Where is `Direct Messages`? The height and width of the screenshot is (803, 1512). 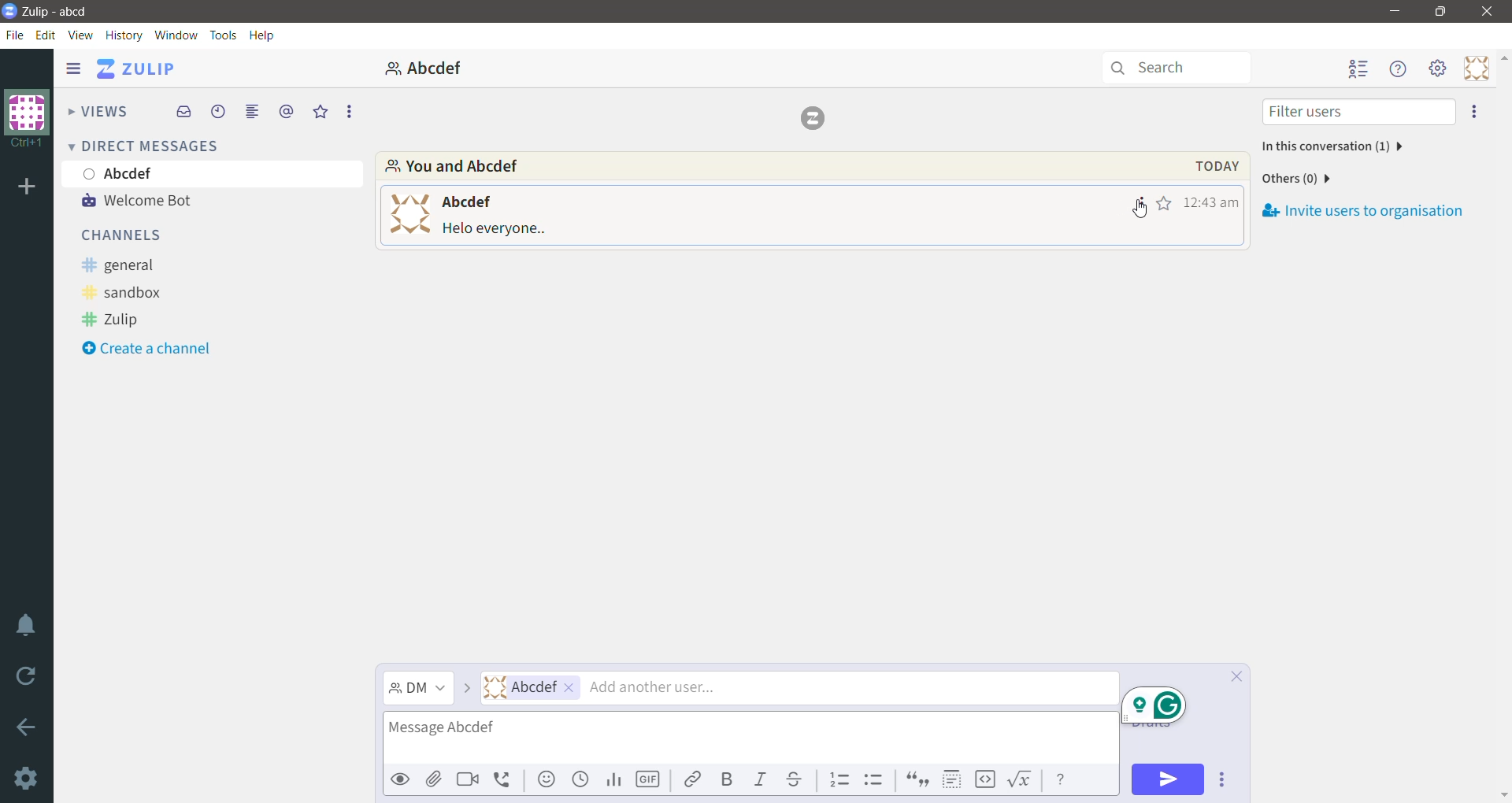
Direct Messages is located at coordinates (147, 146).